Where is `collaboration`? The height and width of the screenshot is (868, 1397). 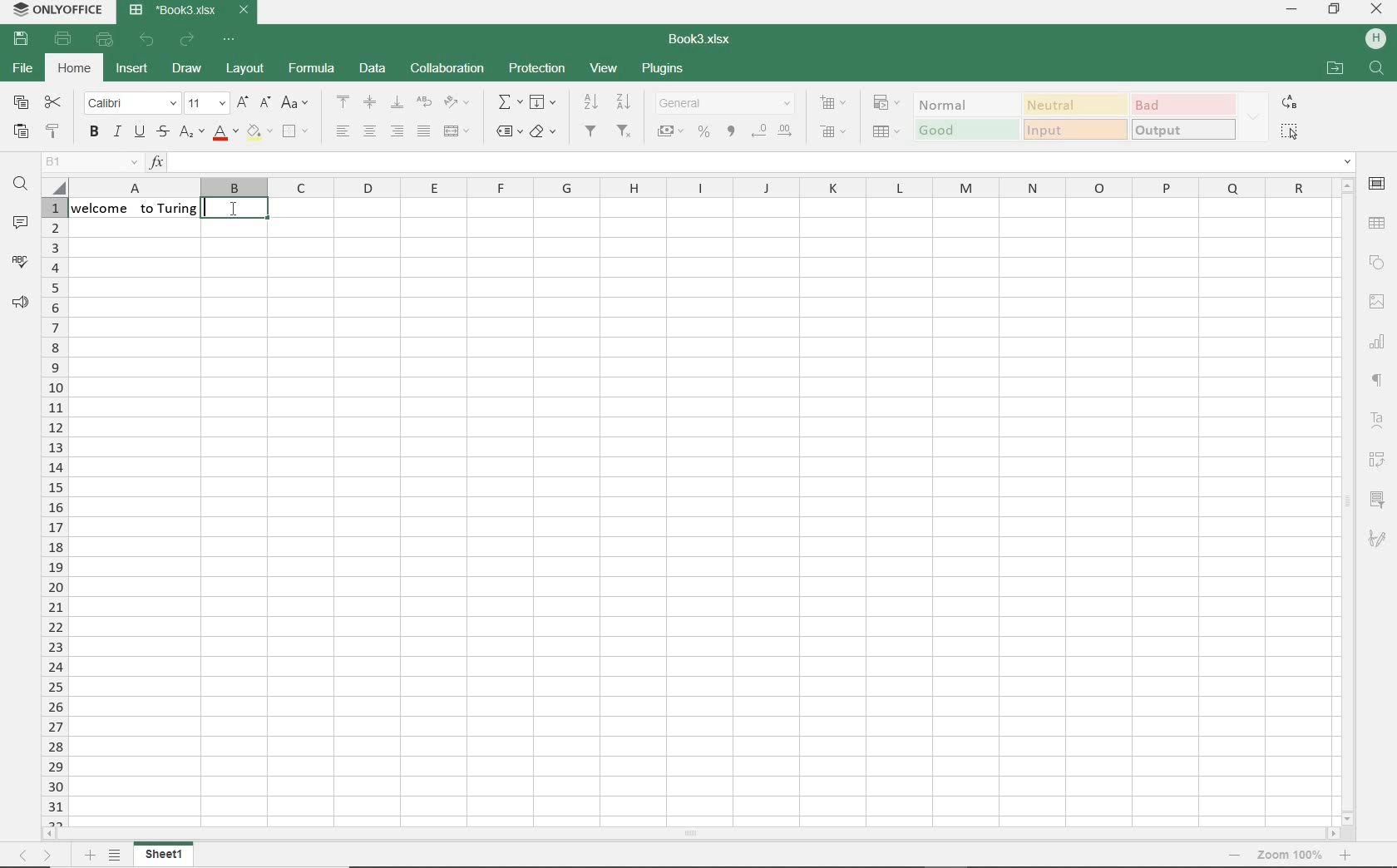
collaboration is located at coordinates (448, 70).